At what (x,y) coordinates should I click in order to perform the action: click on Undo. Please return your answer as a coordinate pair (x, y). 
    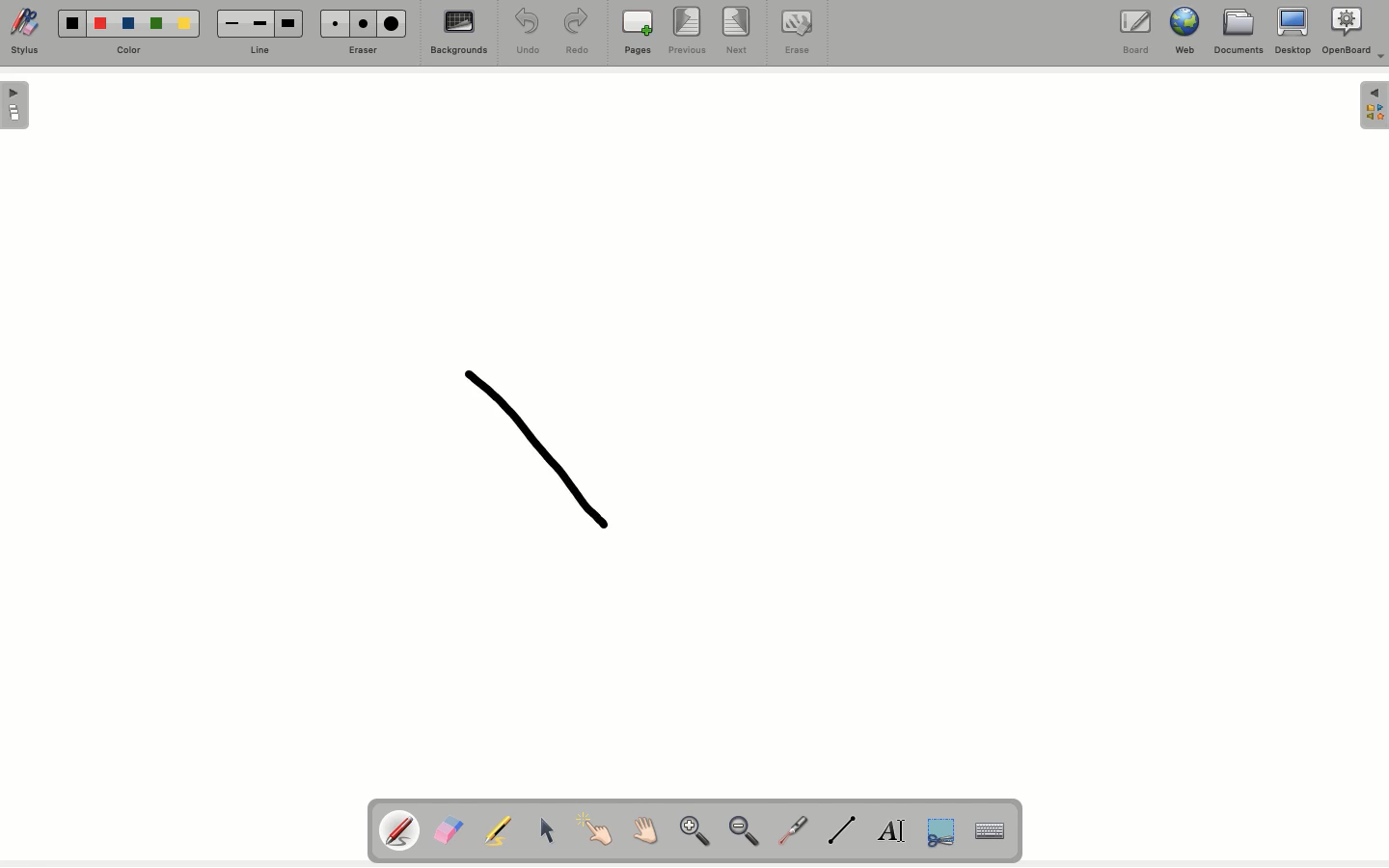
    Looking at the image, I should click on (526, 31).